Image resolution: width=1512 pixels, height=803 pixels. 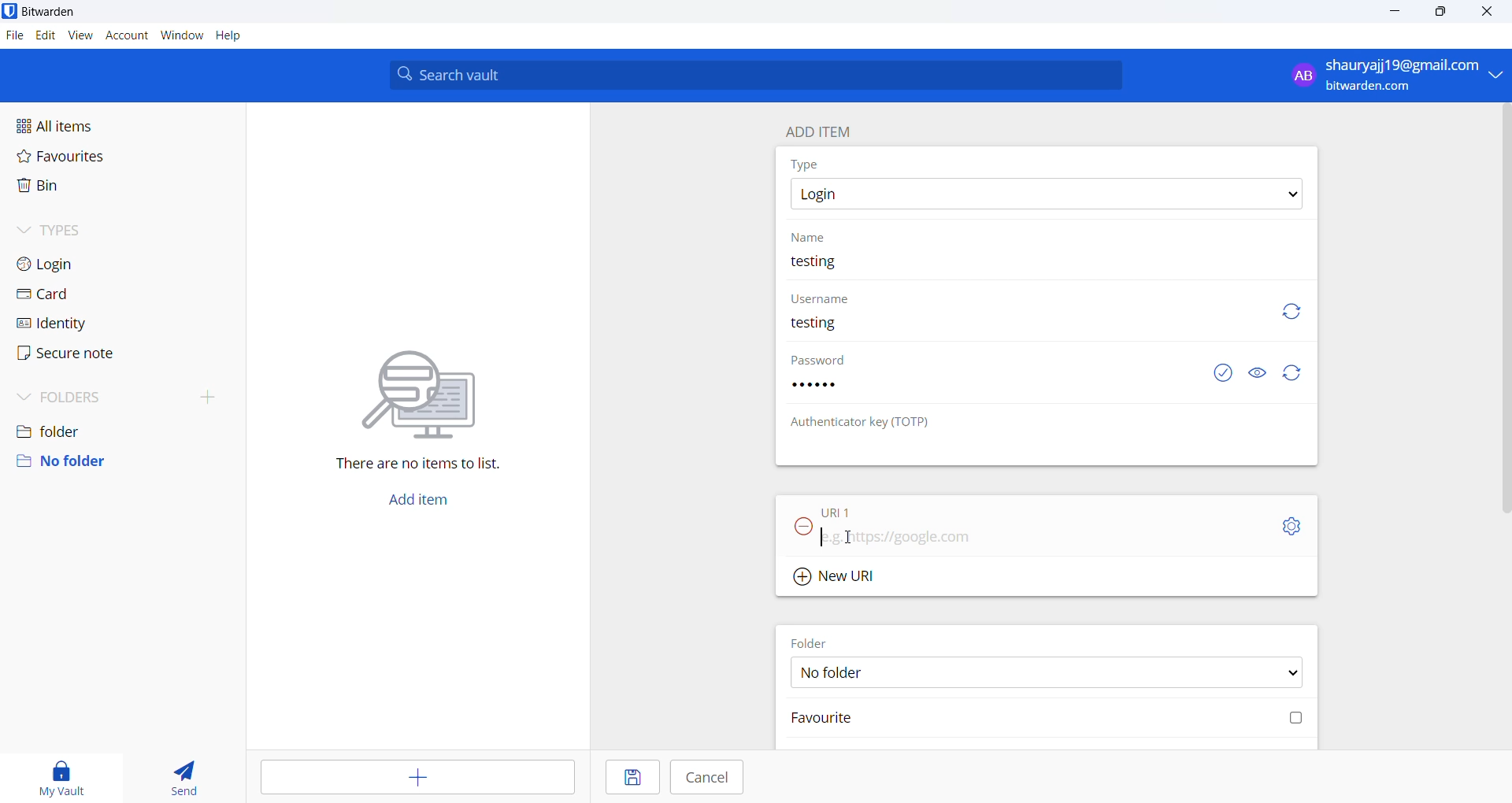 What do you see at coordinates (1288, 311) in the screenshot?
I see `refresh` at bounding box center [1288, 311].